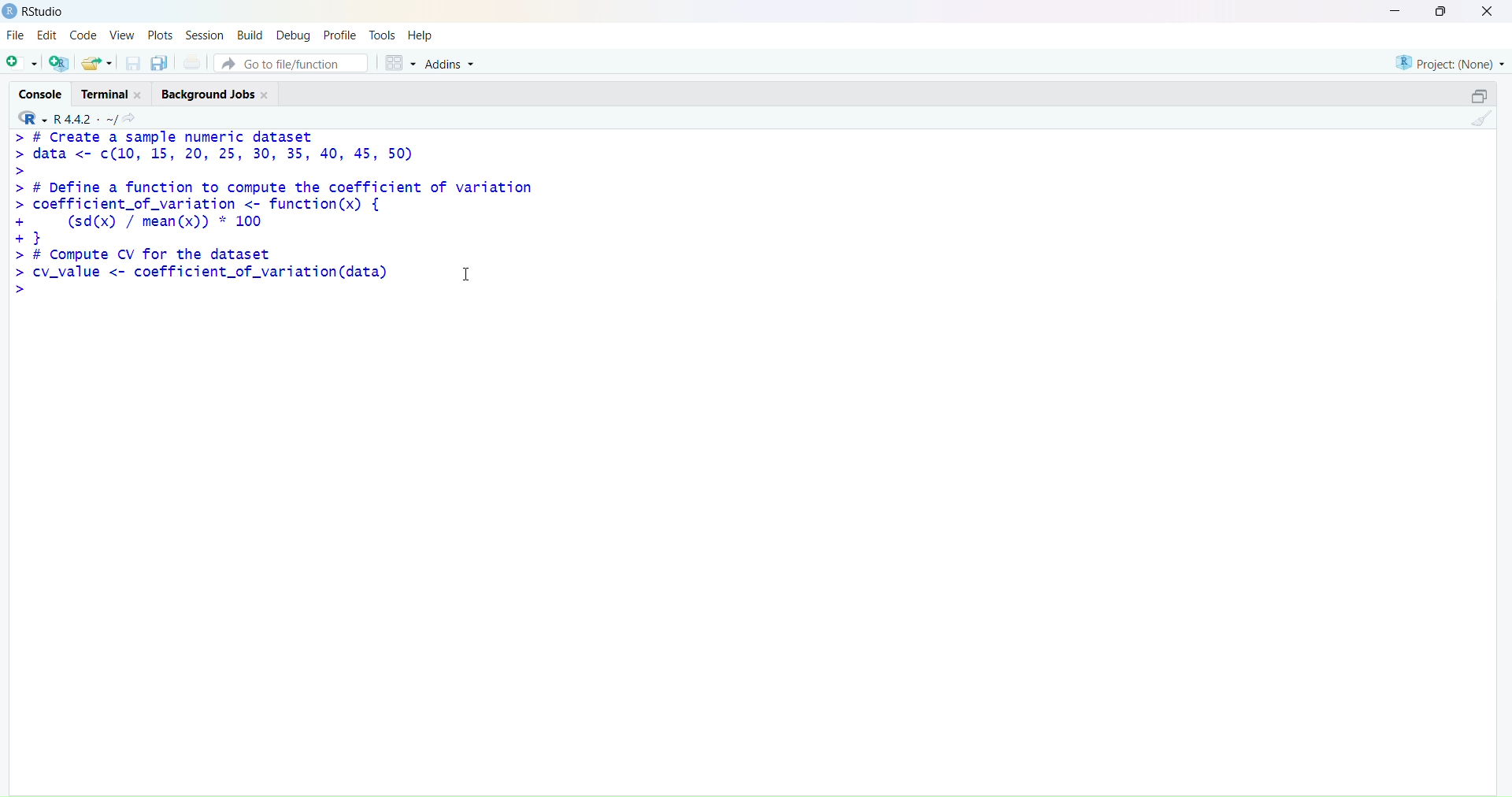 The height and width of the screenshot is (797, 1512). I want to click on debug, so click(293, 37).